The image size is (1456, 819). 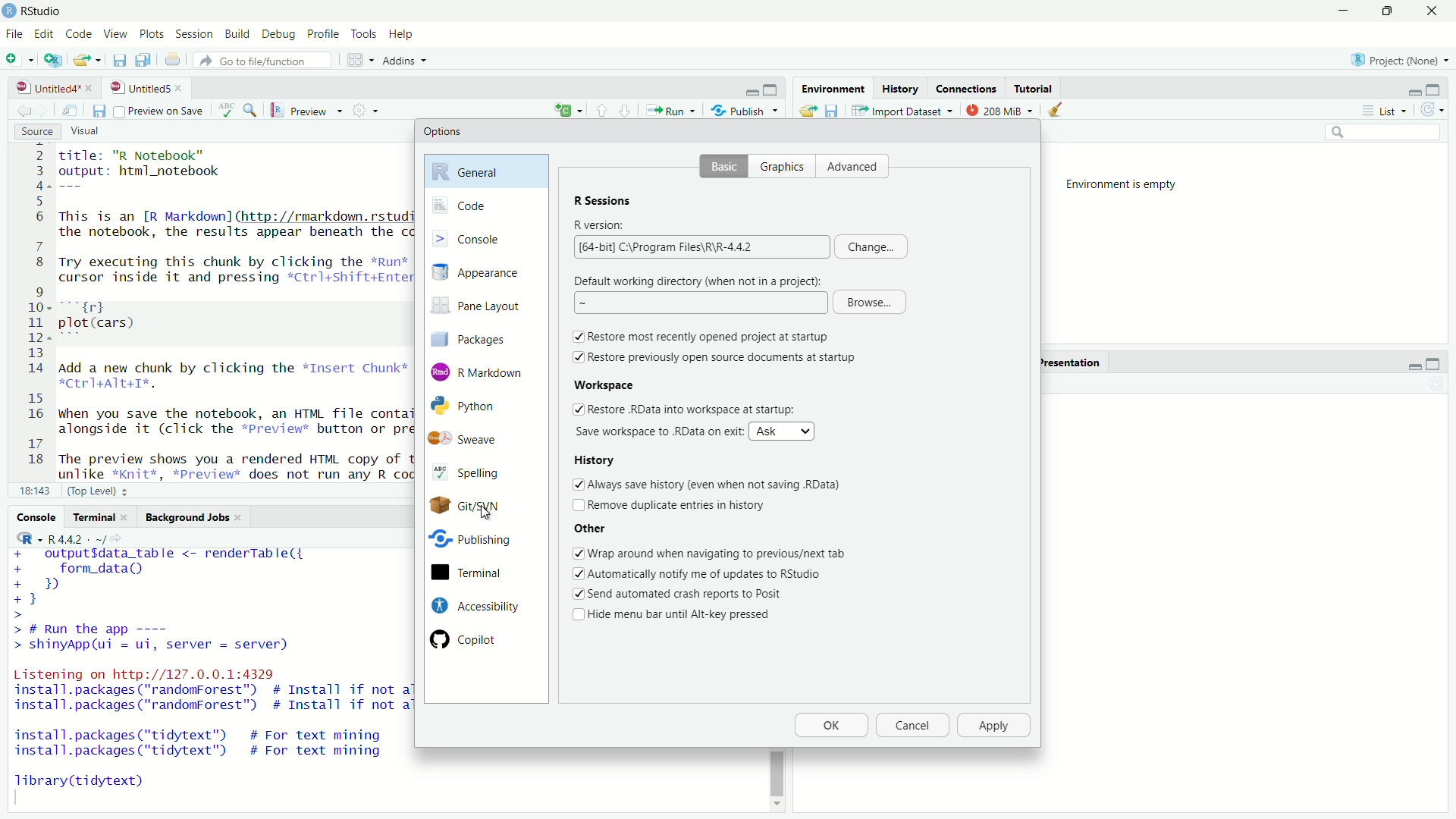 I want to click on Background Jobs, so click(x=194, y=518).